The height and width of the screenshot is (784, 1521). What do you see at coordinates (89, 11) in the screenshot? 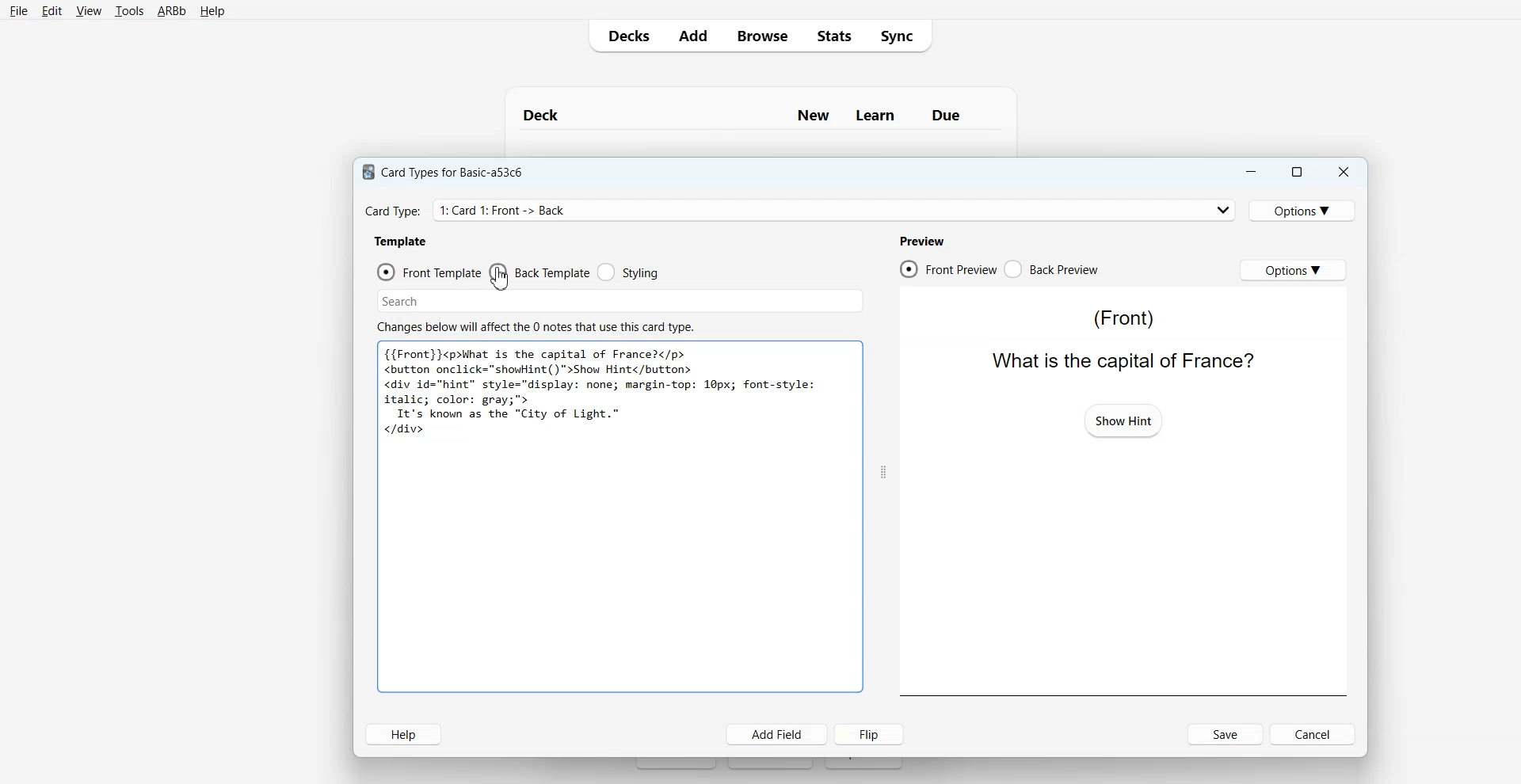
I see `View` at bounding box center [89, 11].